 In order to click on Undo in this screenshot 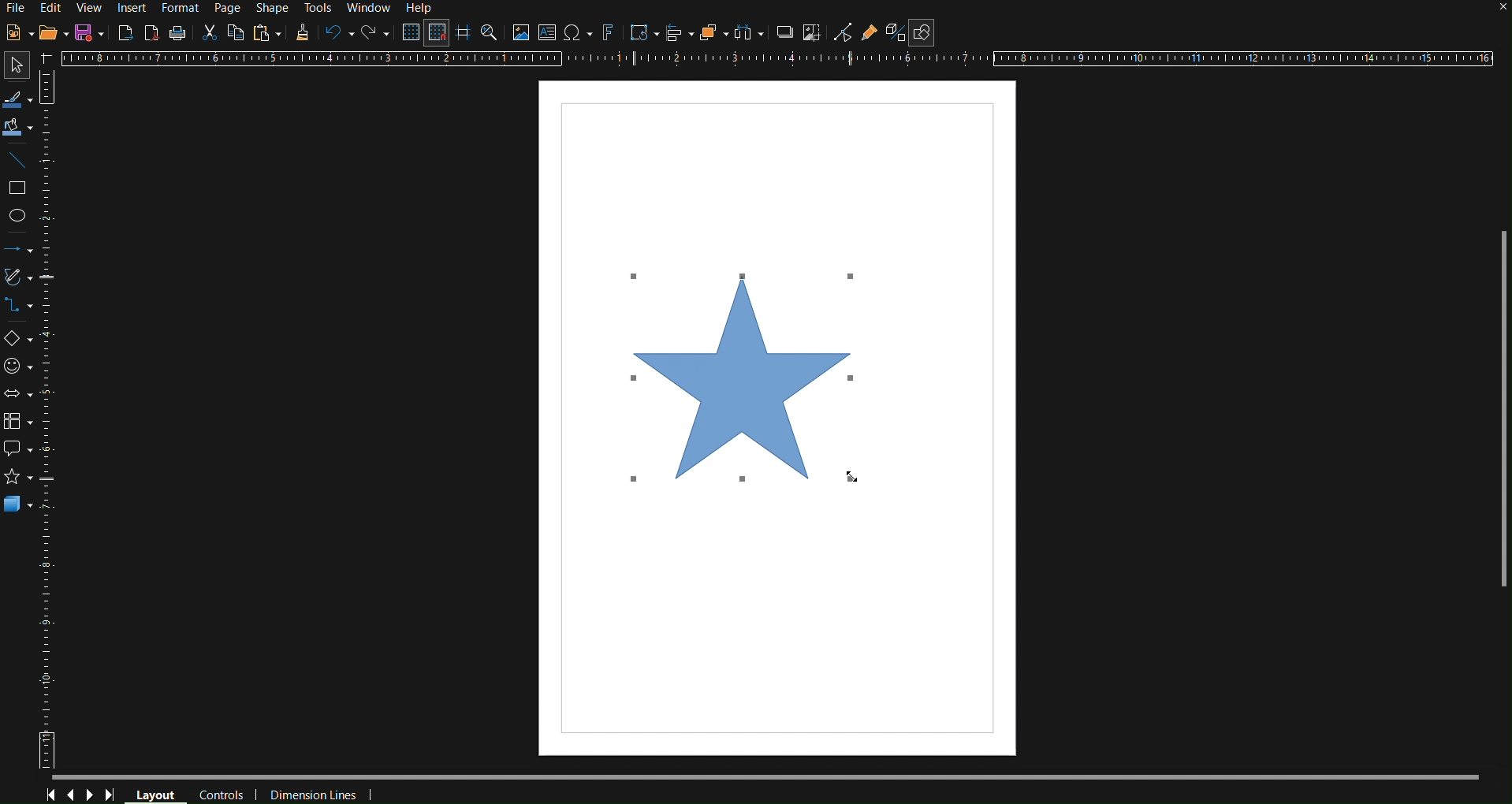, I will do `click(337, 34)`.